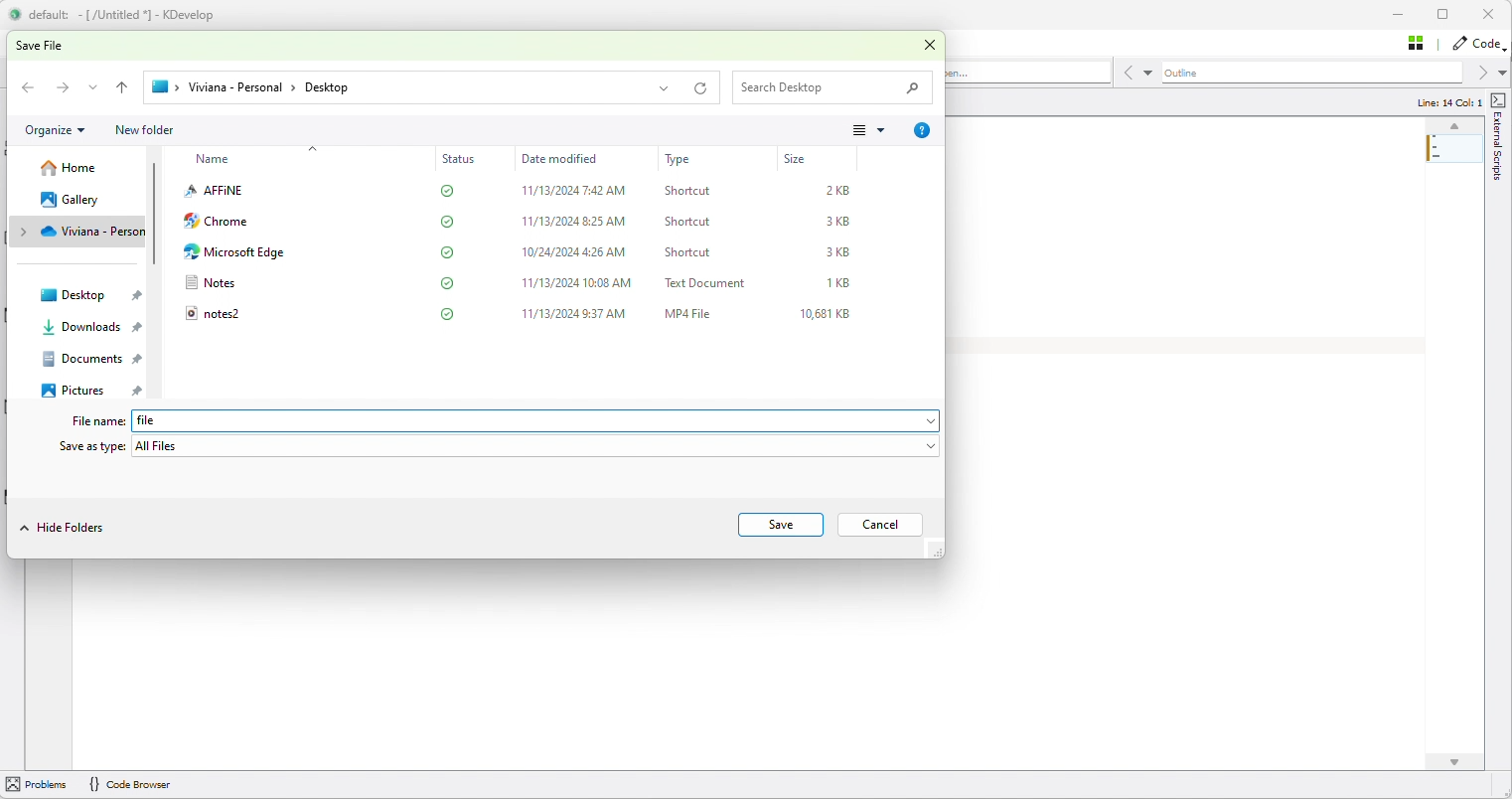 The height and width of the screenshot is (799, 1512). I want to click on Close, so click(1487, 15).